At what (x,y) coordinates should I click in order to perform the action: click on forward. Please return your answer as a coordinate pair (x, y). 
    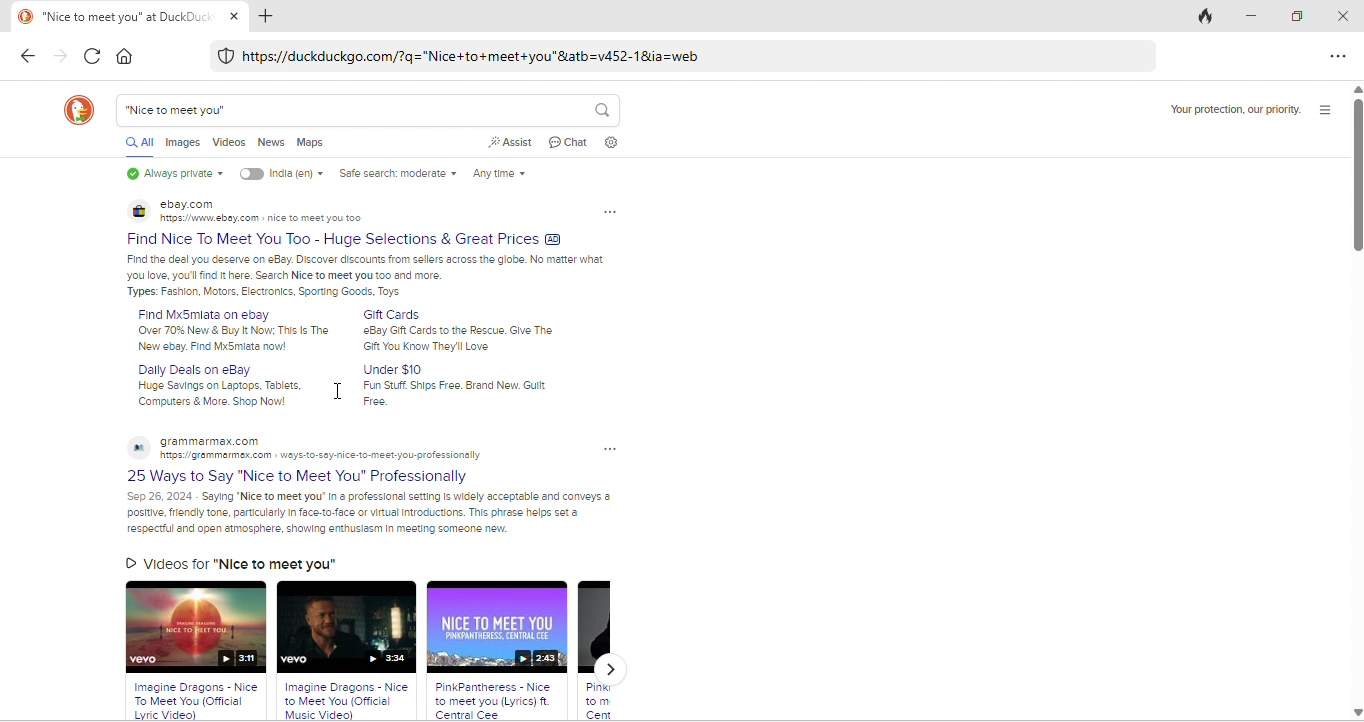
    Looking at the image, I should click on (63, 57).